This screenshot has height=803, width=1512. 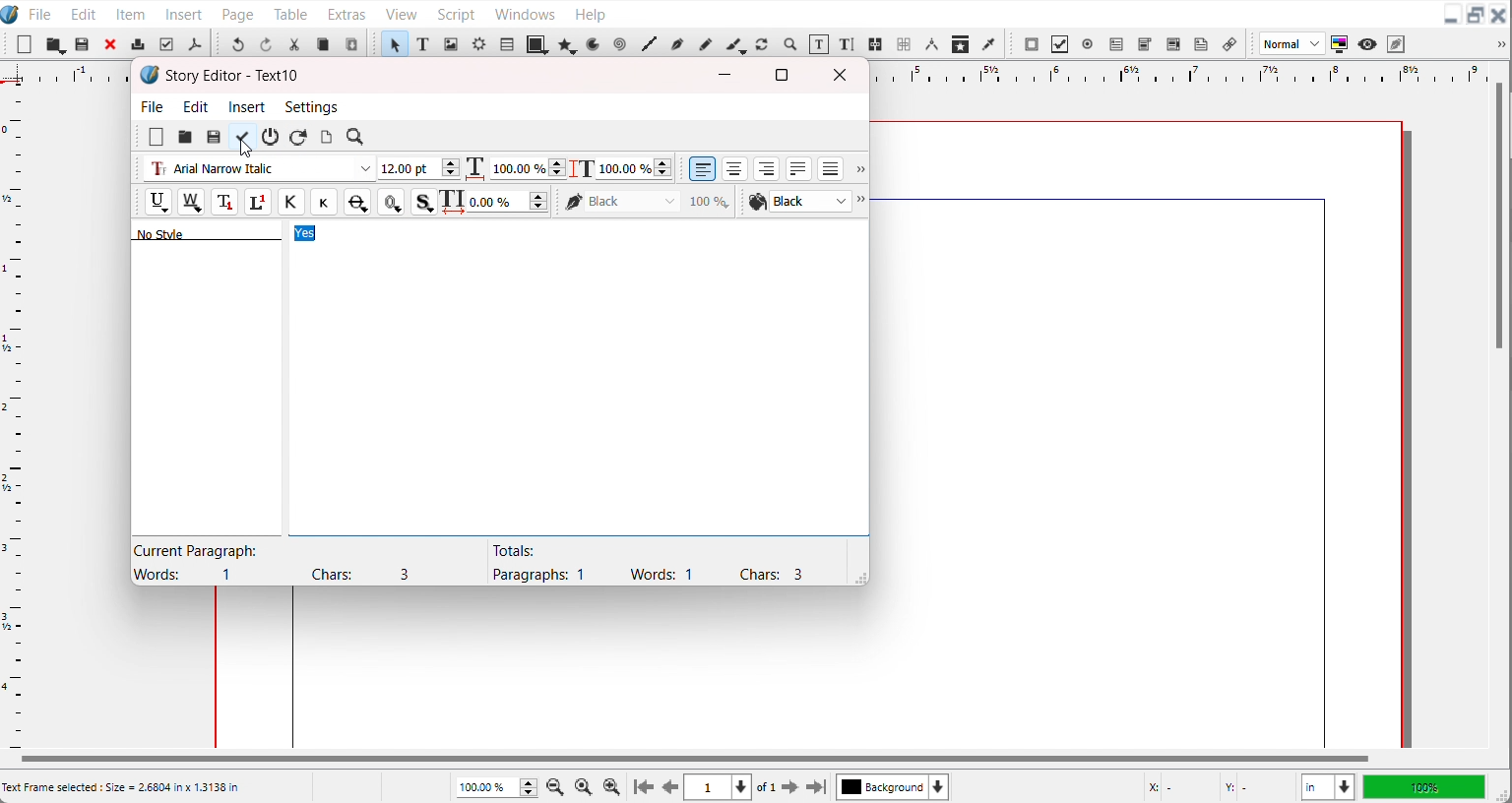 I want to click on Go to first page, so click(x=644, y=786).